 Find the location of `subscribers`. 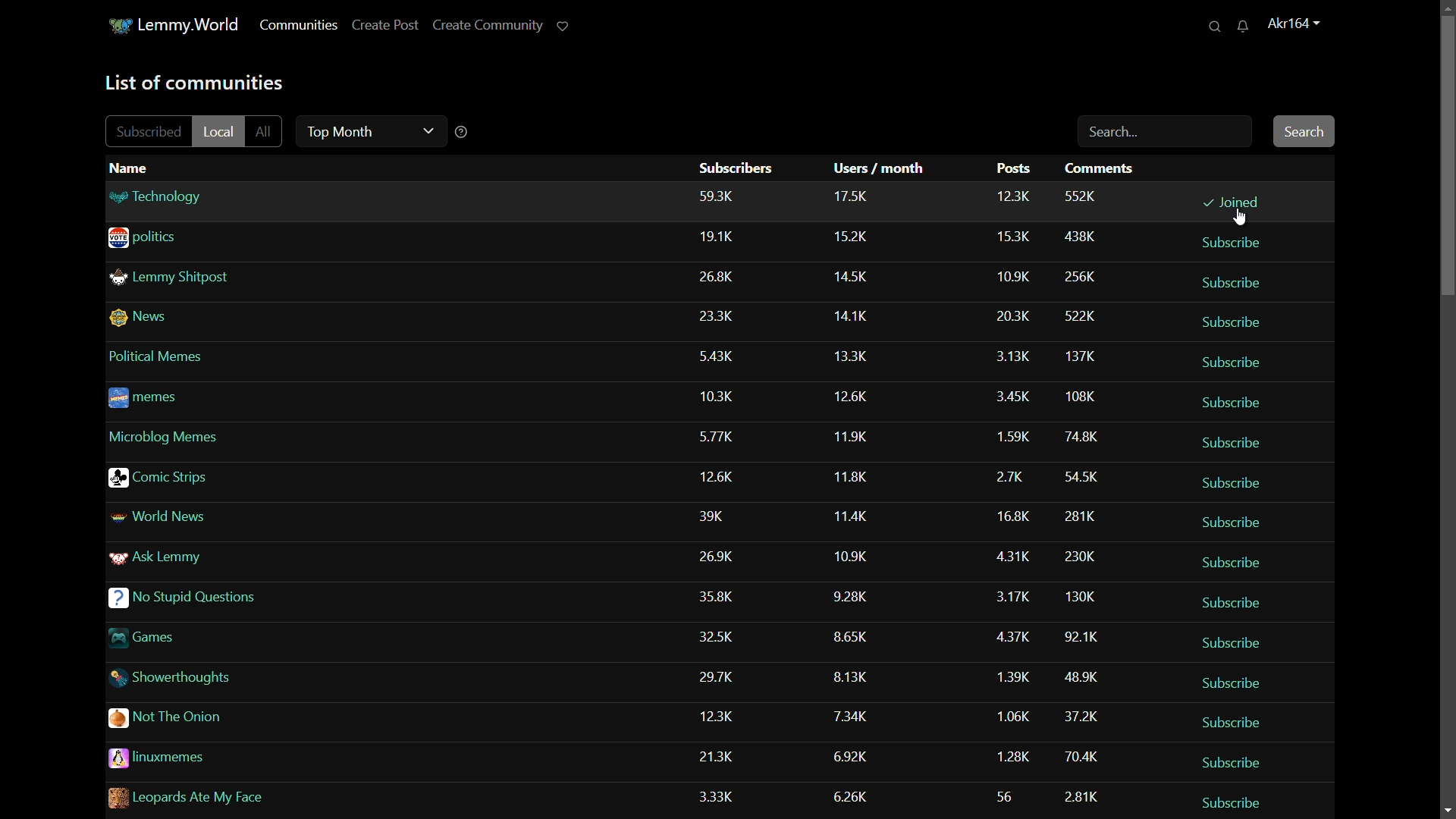

subscribers is located at coordinates (723, 755).